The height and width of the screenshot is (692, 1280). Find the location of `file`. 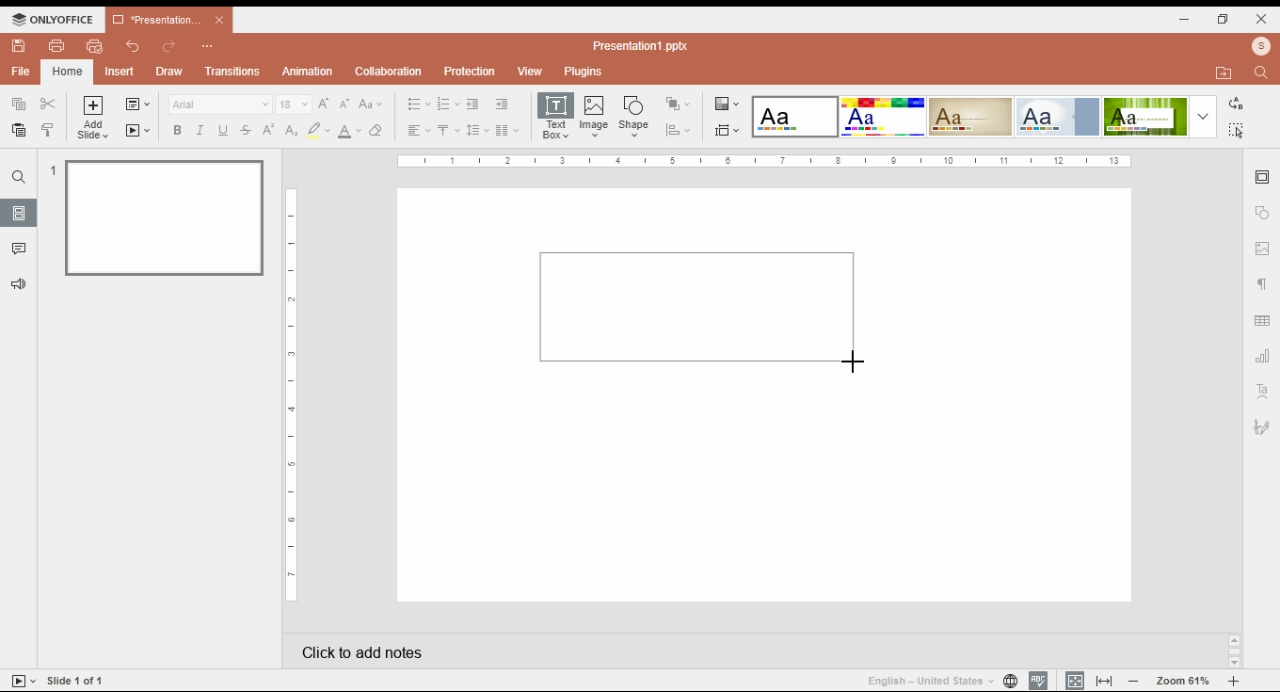

file is located at coordinates (20, 71).